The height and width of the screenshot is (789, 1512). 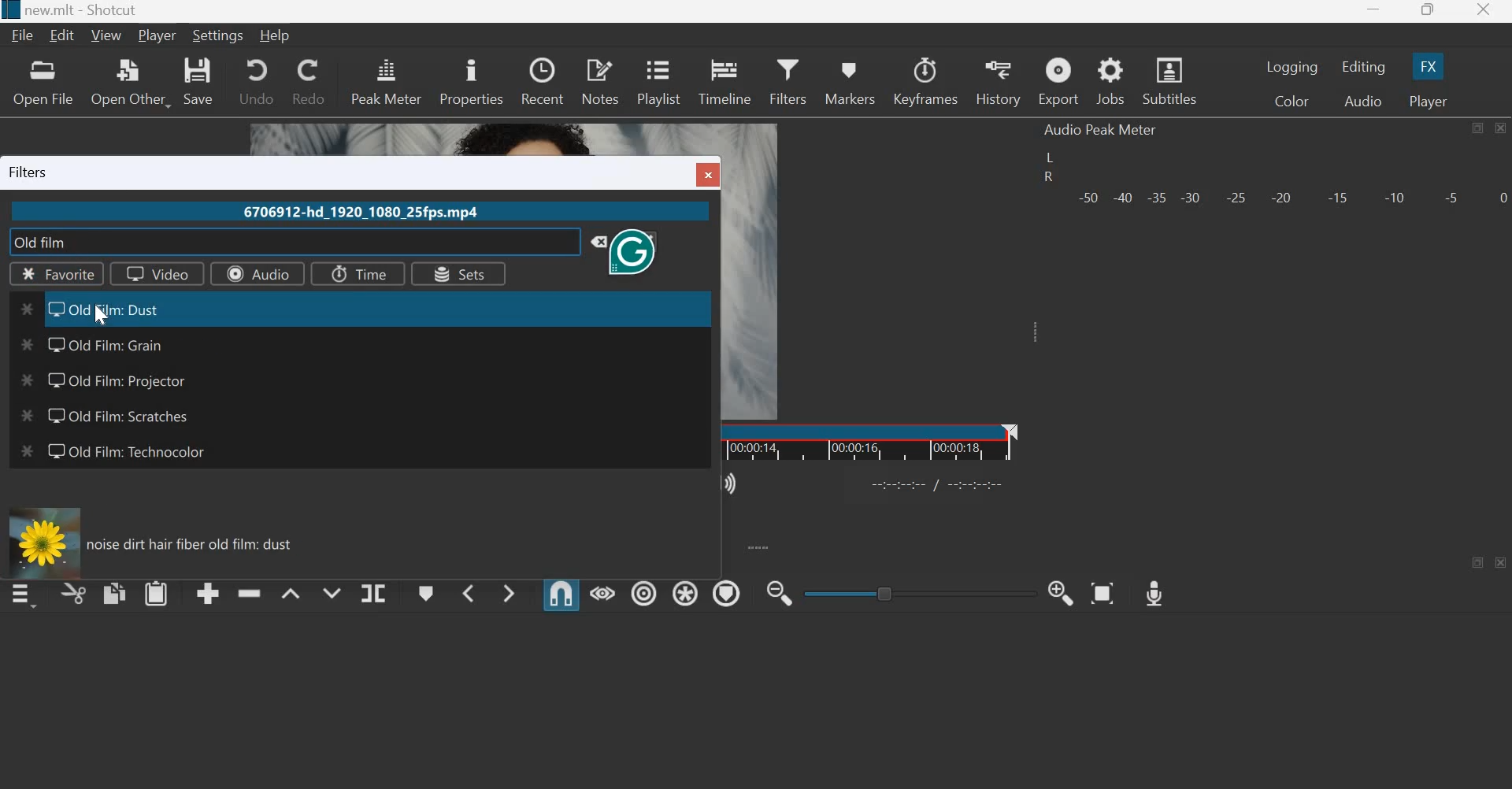 I want to click on ripple delete, so click(x=250, y=591).